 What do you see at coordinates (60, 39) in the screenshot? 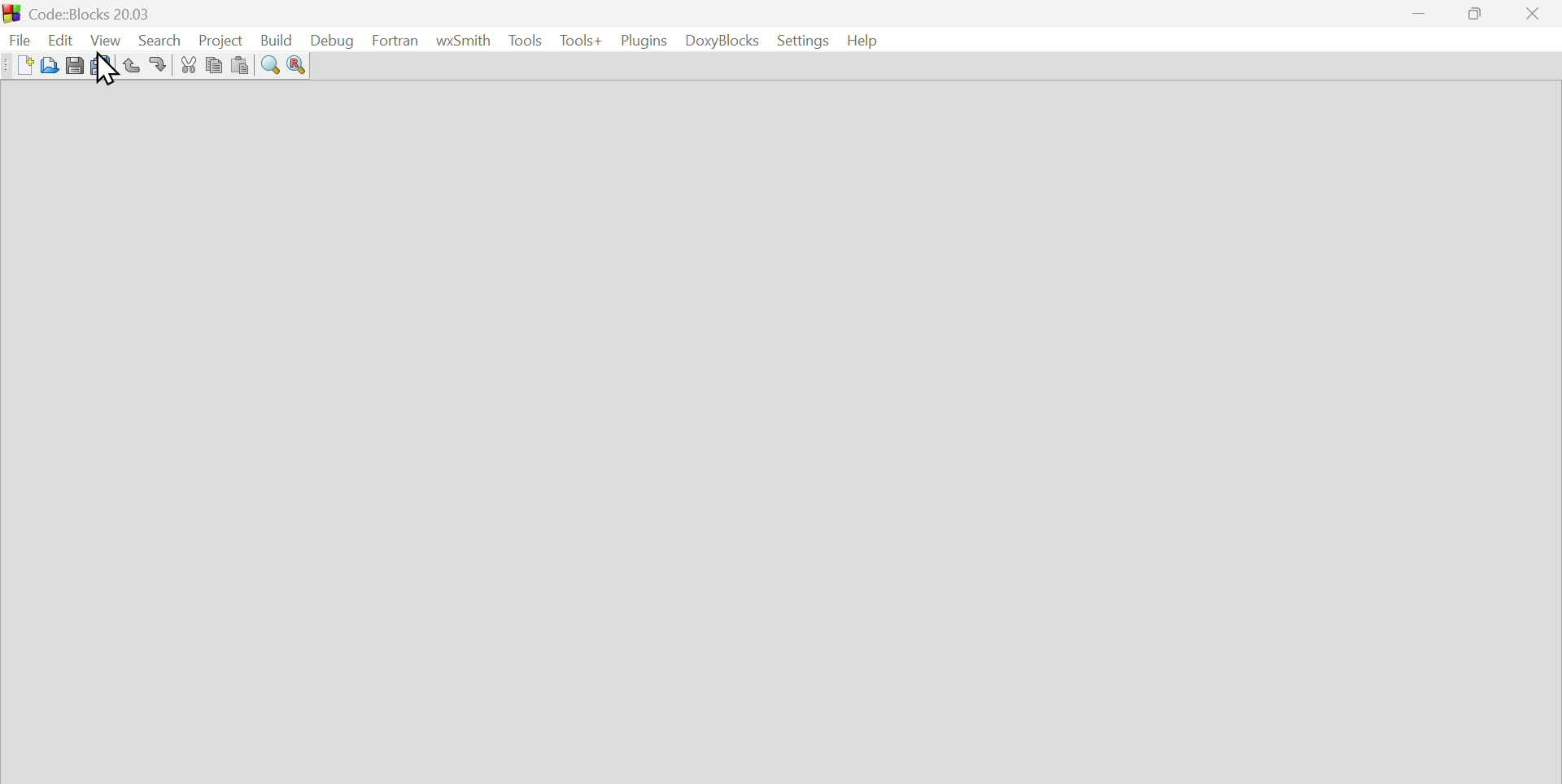
I see `Edit` at bounding box center [60, 39].